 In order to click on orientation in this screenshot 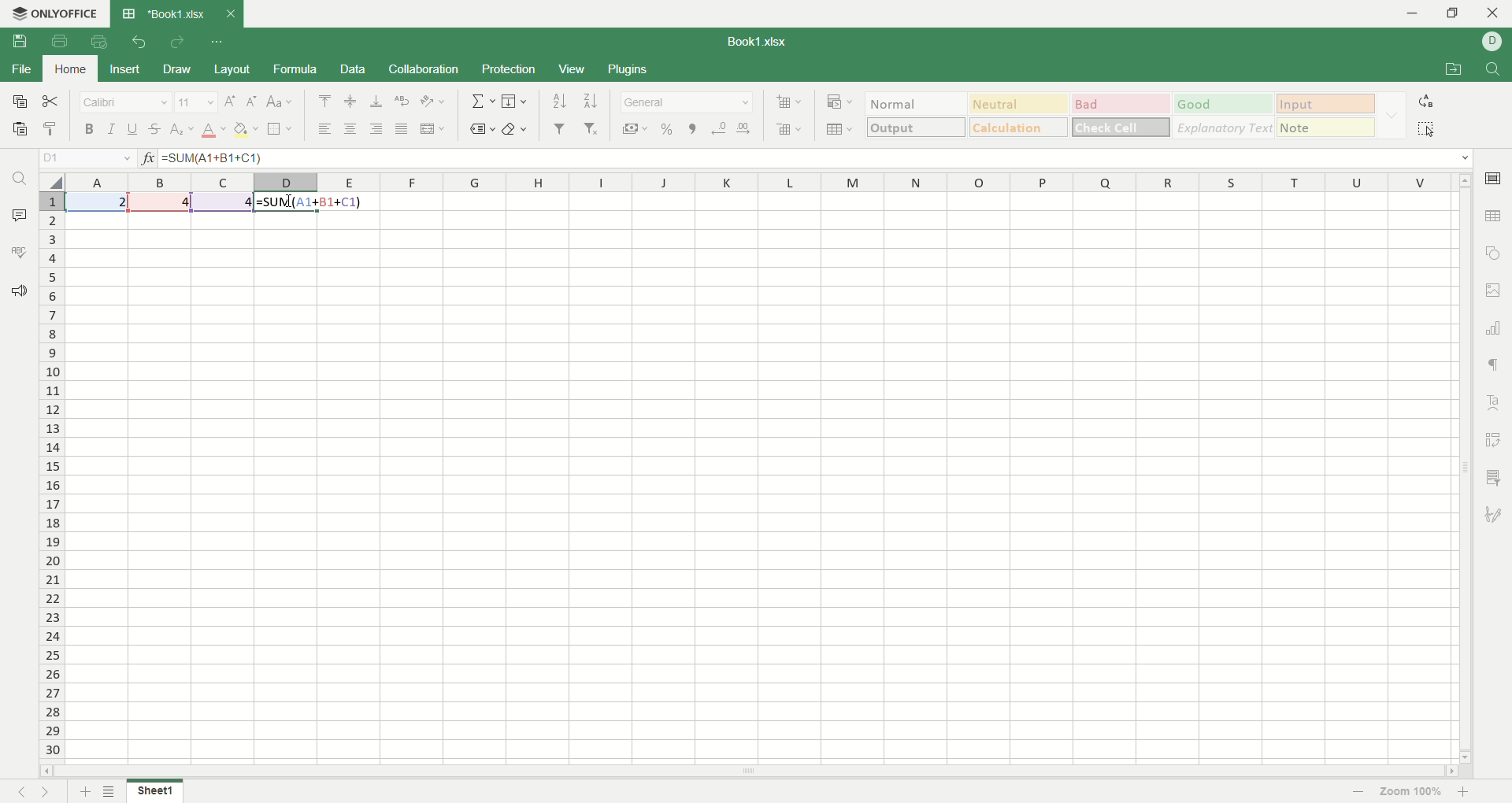, I will do `click(435, 102)`.